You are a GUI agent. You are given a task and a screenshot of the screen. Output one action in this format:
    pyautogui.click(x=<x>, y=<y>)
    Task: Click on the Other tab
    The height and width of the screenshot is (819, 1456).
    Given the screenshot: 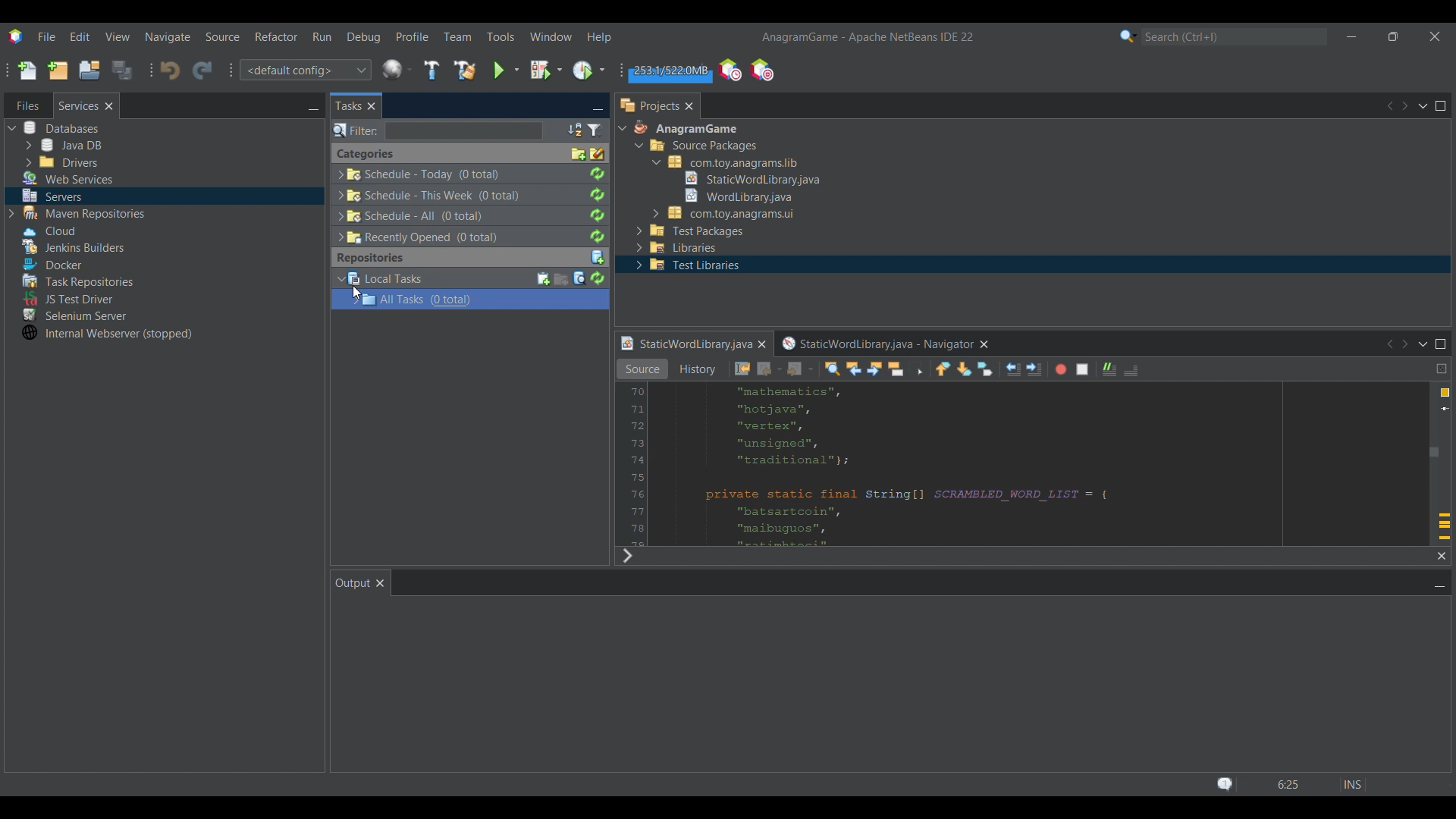 What is the action you would take?
    pyautogui.click(x=26, y=103)
    